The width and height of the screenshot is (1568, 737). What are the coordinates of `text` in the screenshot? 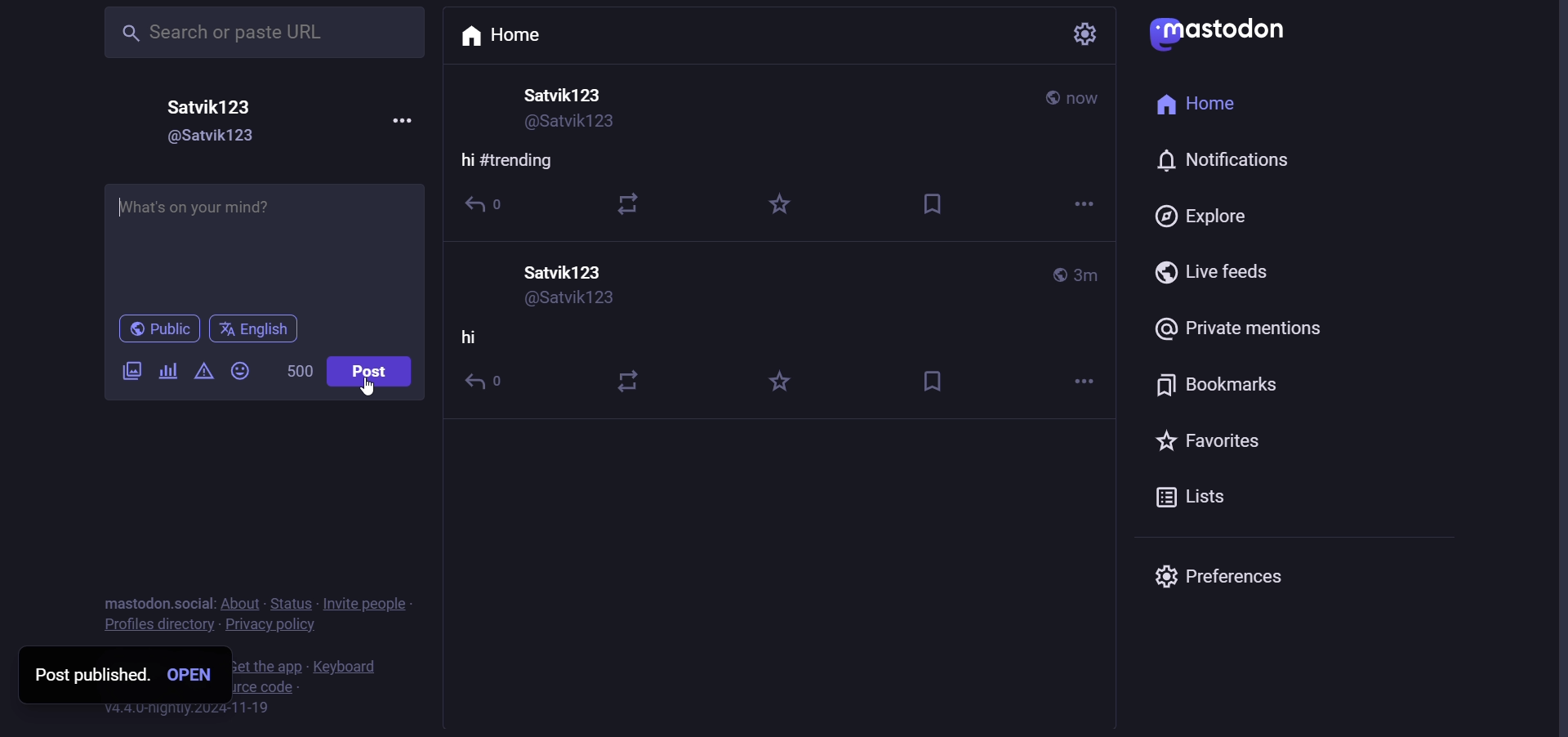 It's located at (137, 603).